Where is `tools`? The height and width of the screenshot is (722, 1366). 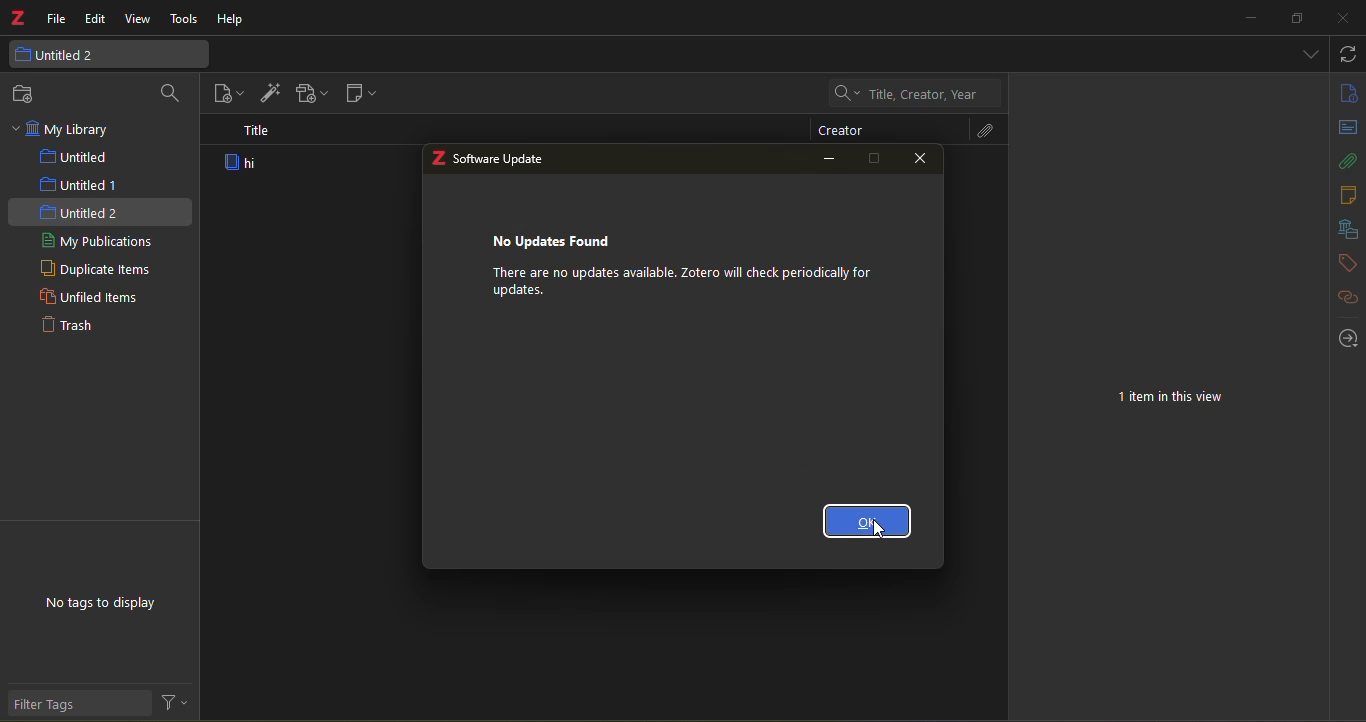 tools is located at coordinates (185, 20).